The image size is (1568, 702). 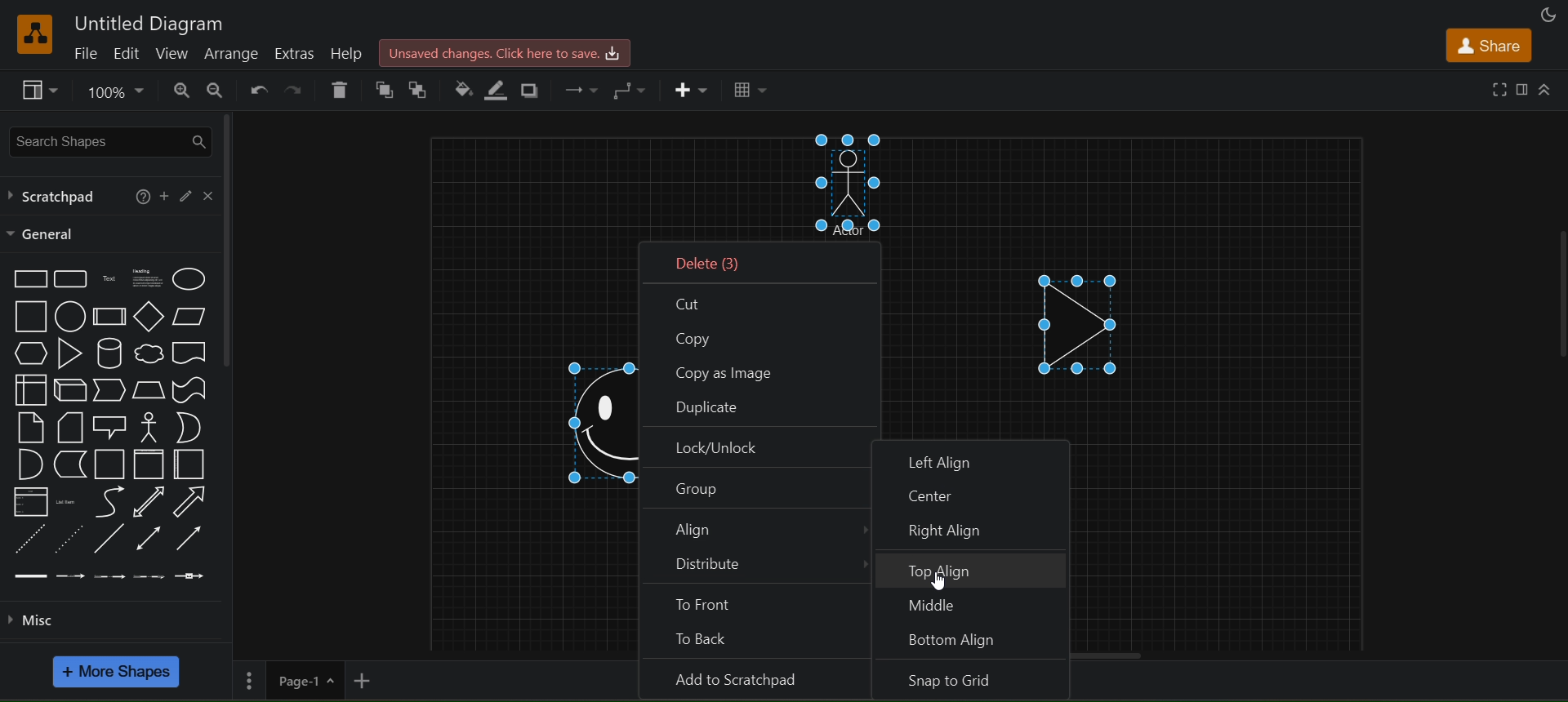 I want to click on callout, so click(x=109, y=426).